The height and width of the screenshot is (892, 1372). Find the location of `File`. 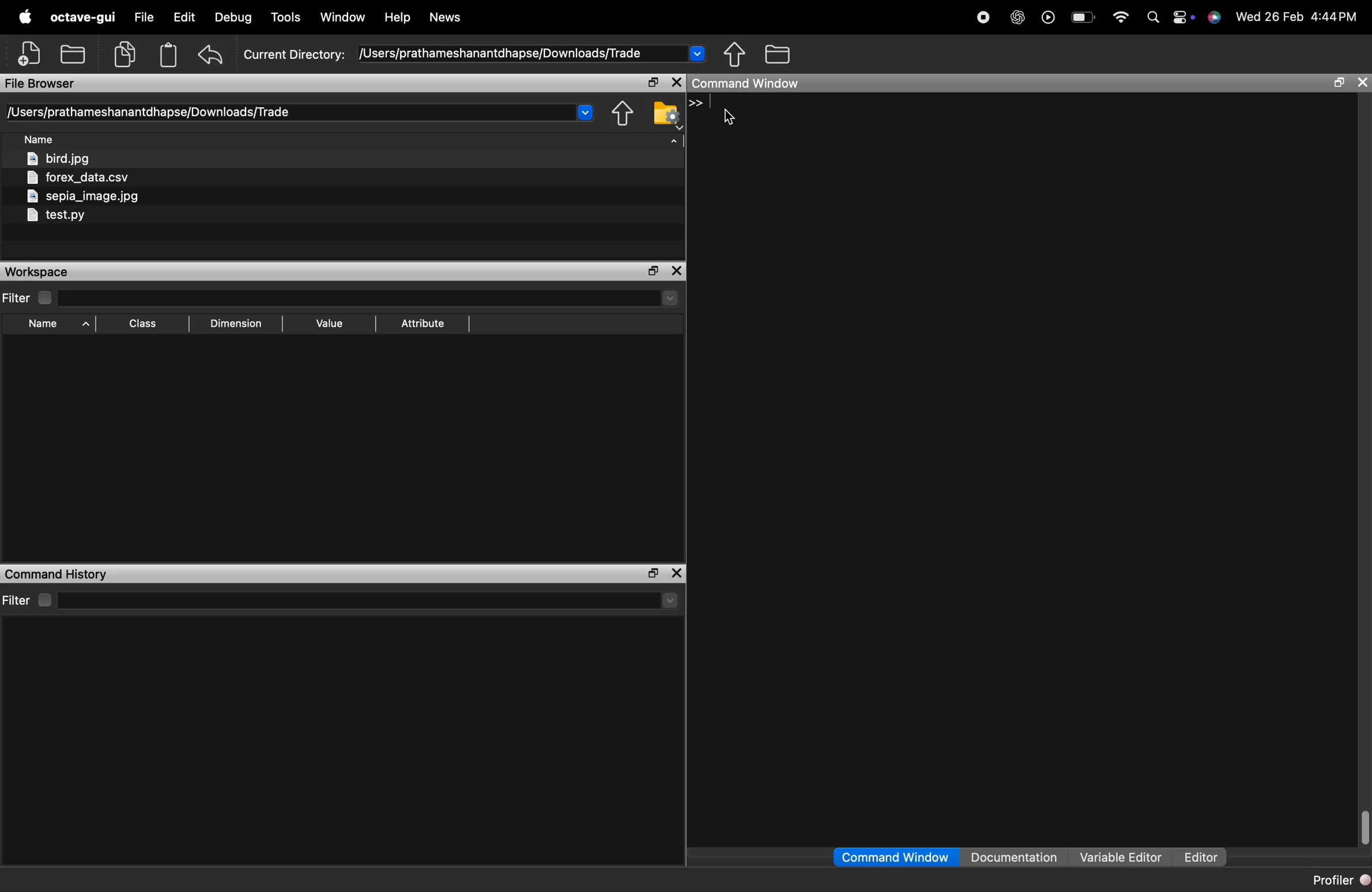

File is located at coordinates (145, 17).